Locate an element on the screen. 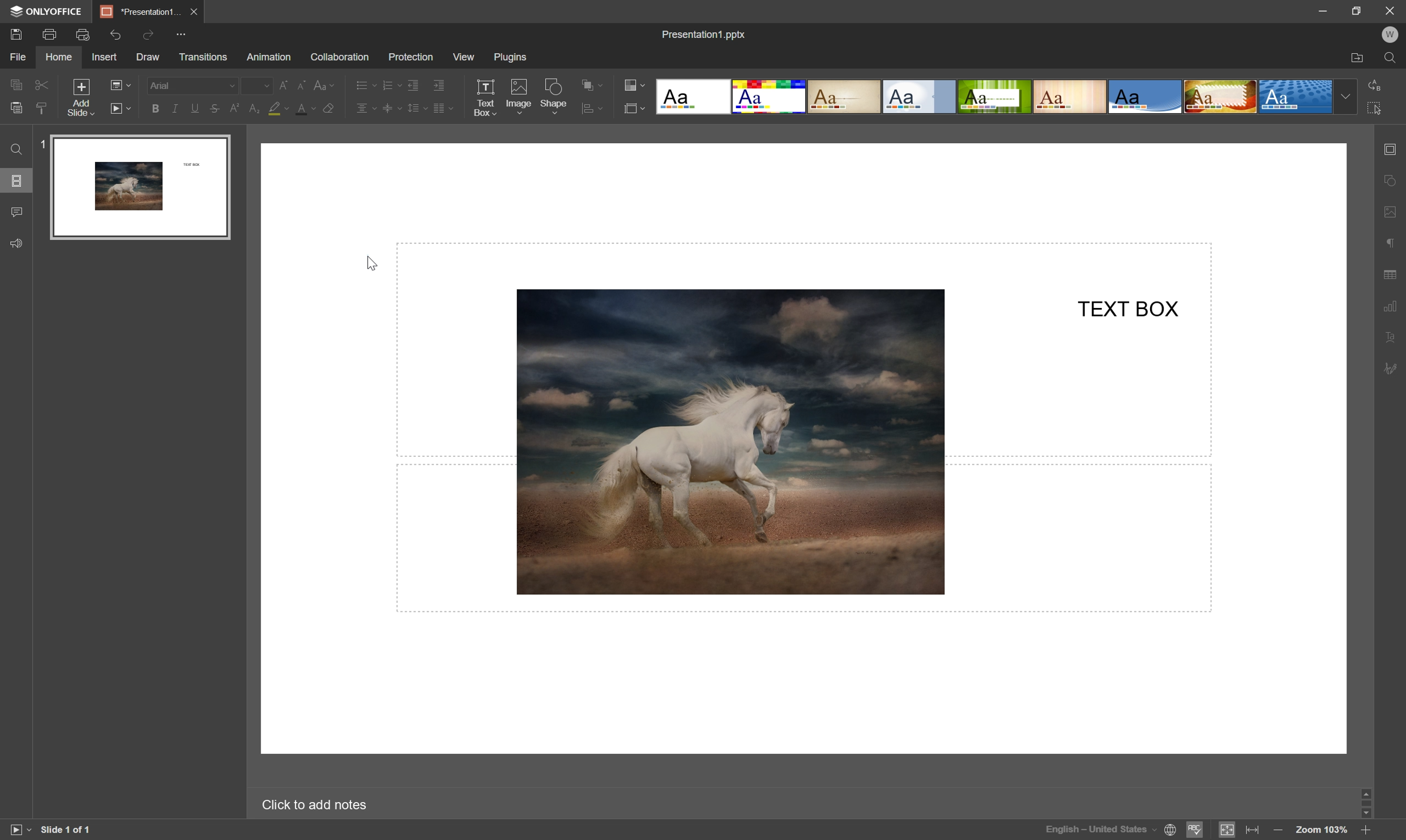  change color theme is located at coordinates (637, 84).